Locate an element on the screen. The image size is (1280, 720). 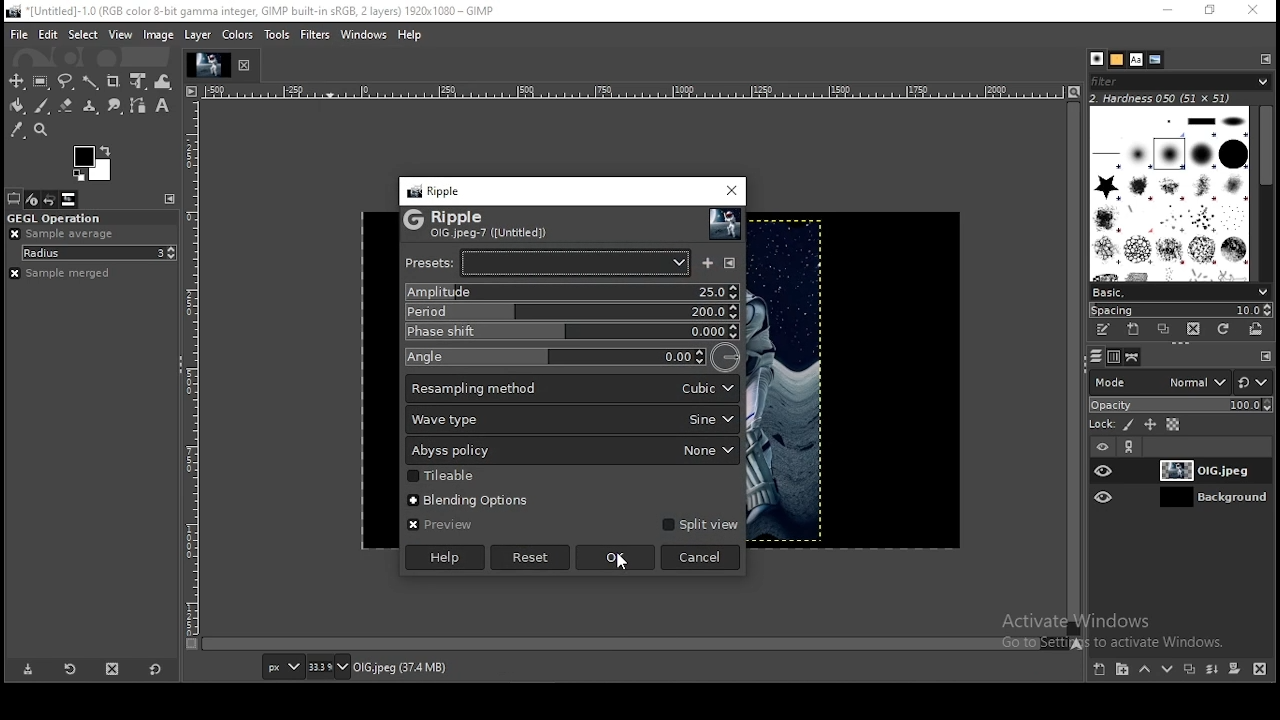
blending options is located at coordinates (462, 501).